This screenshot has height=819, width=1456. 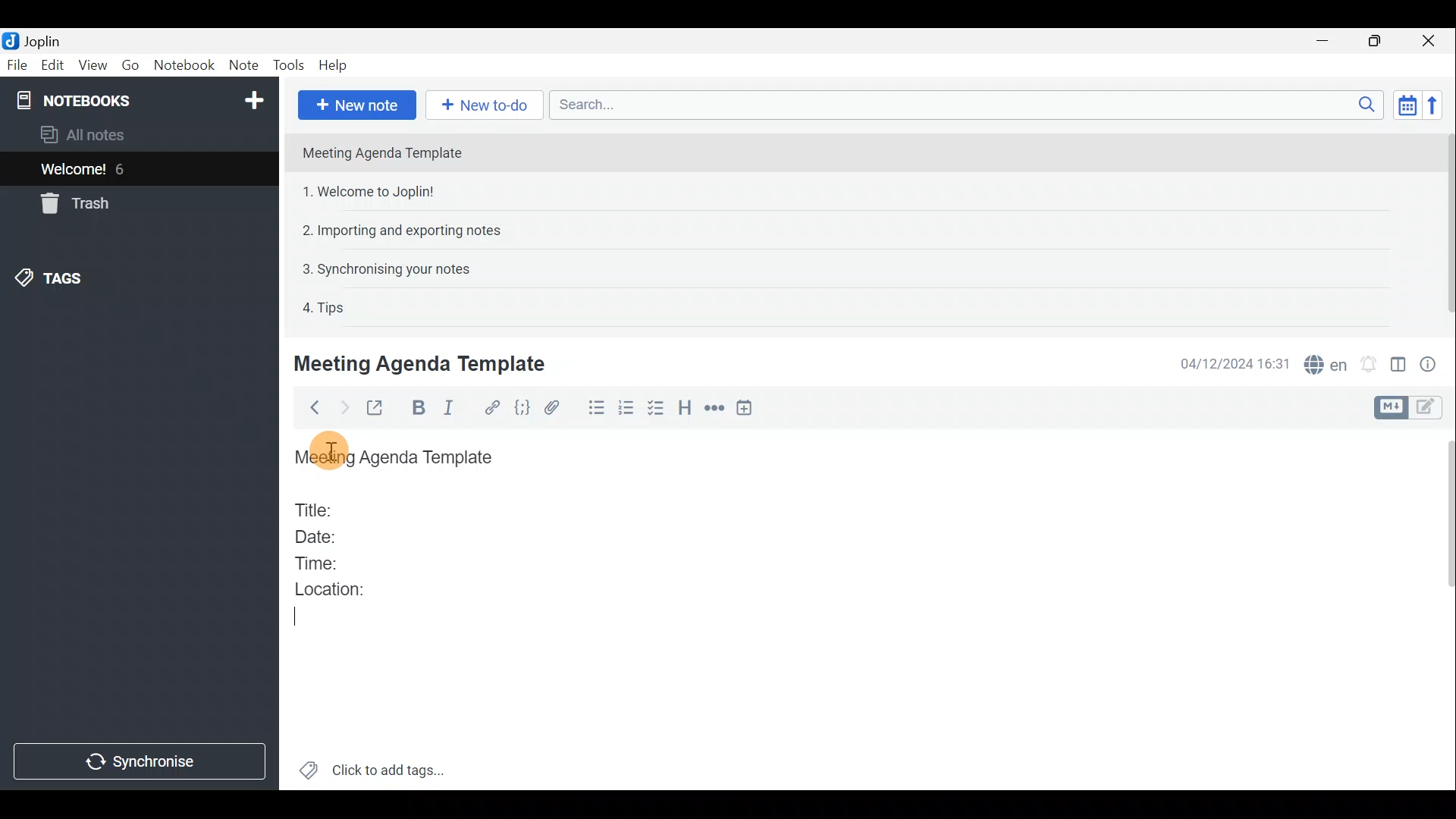 I want to click on Trash, so click(x=72, y=203).